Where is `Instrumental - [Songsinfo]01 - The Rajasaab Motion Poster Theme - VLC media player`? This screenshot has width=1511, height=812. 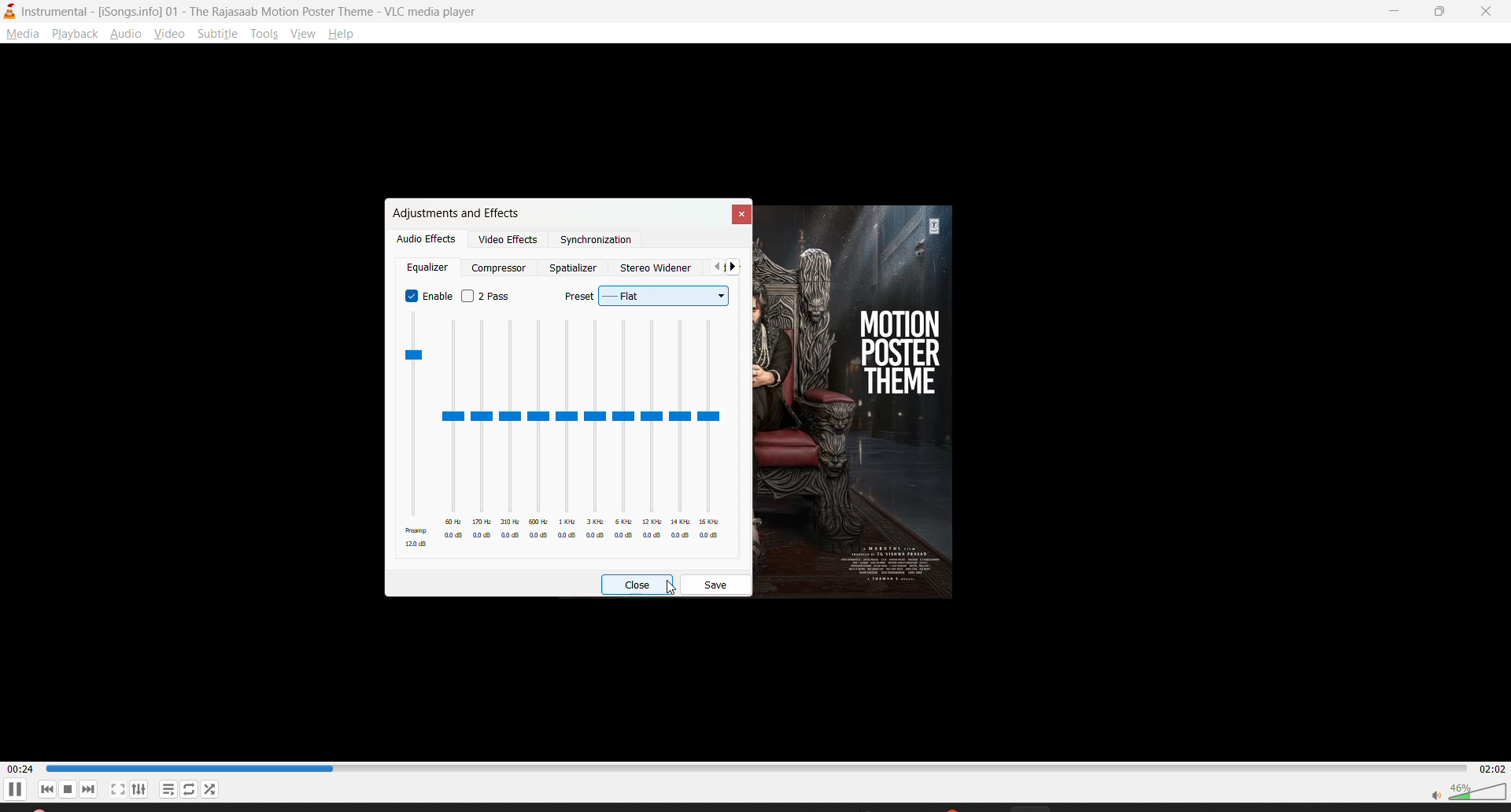
Instrumental - [Songsinfo]01 - The Rajasaab Motion Poster Theme - VLC media player is located at coordinates (245, 11).